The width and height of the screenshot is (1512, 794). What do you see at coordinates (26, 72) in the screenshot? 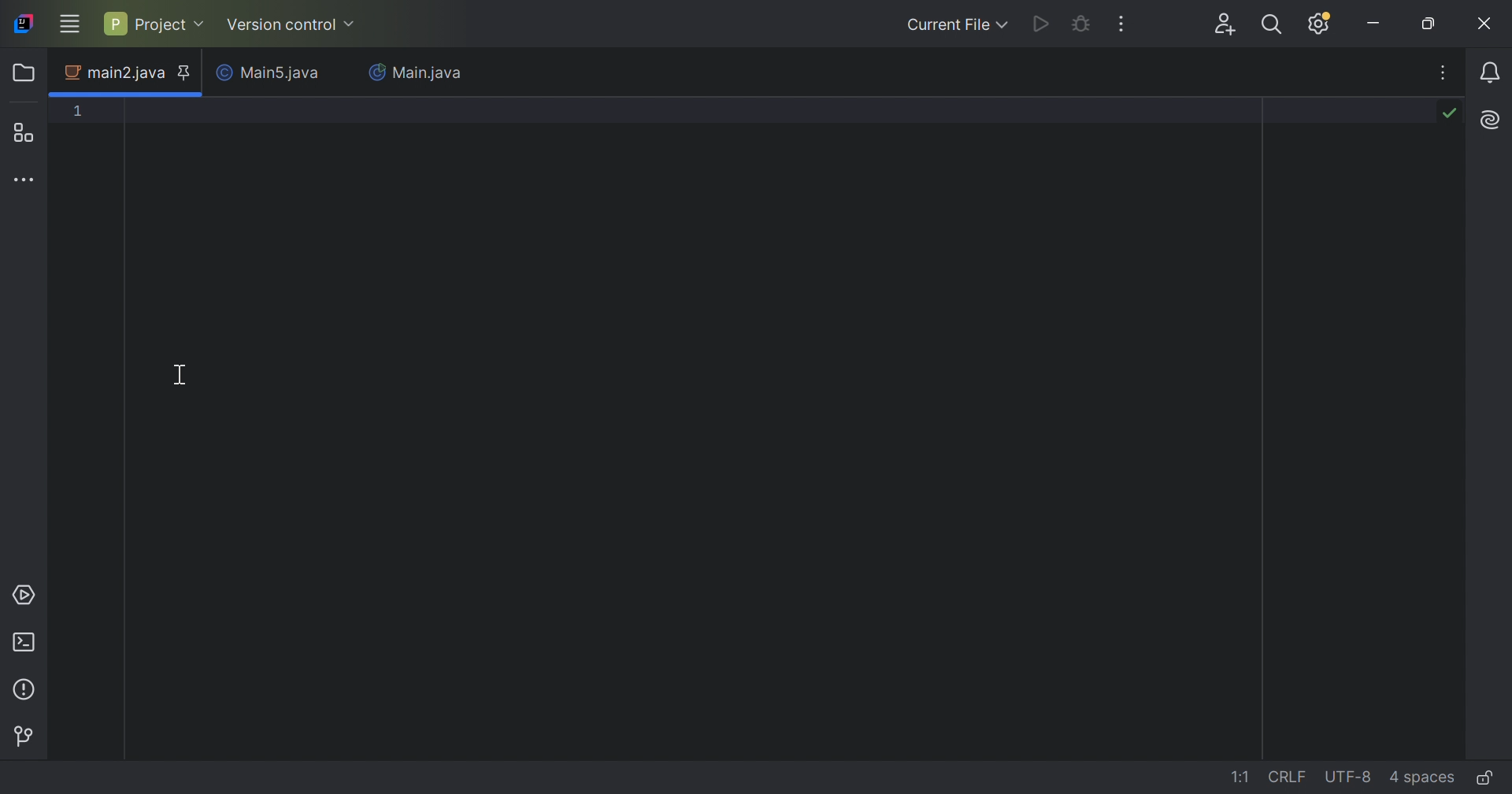
I see `Folder icon` at bounding box center [26, 72].